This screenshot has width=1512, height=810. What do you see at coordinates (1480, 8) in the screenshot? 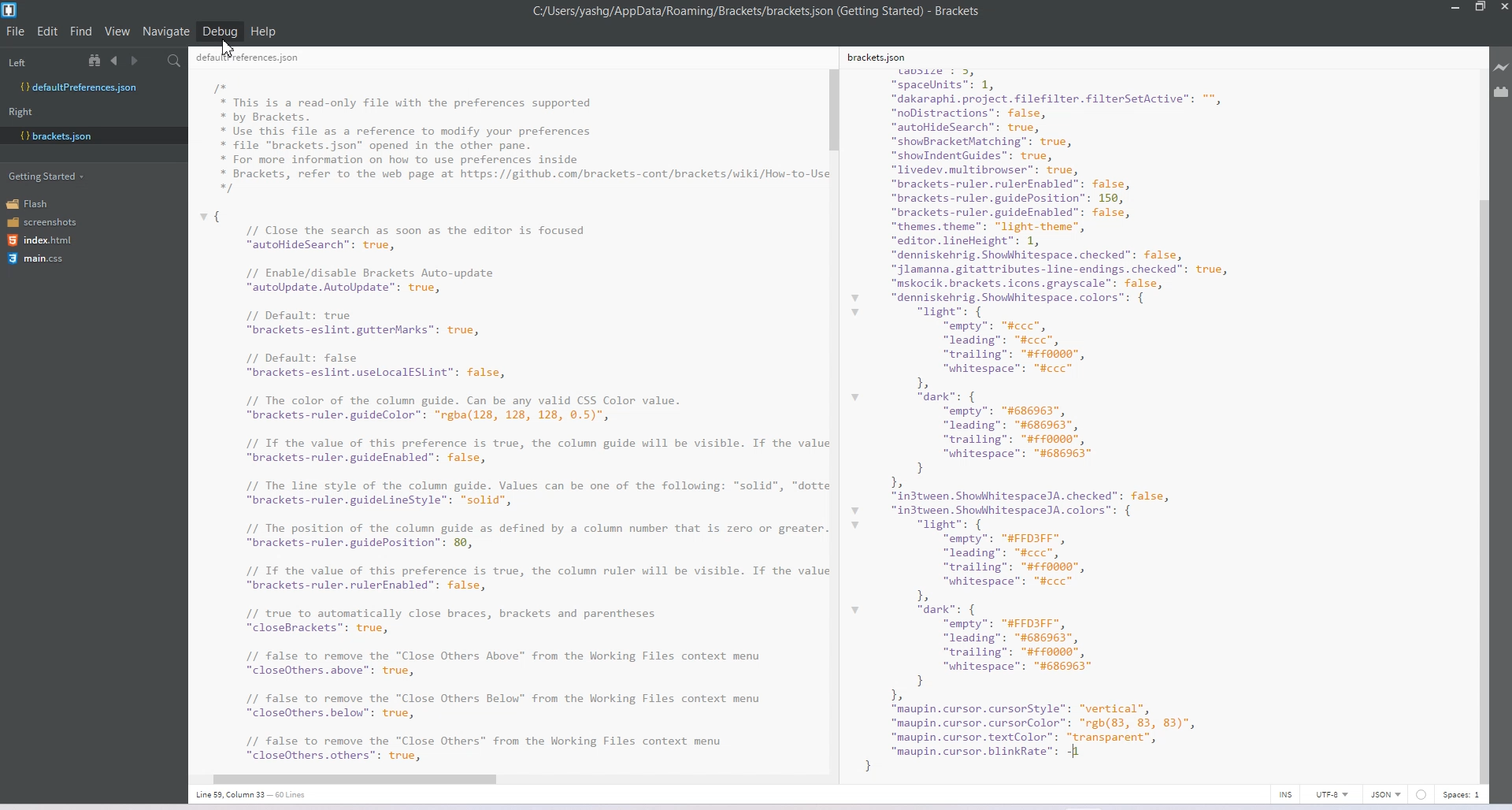
I see `Maximize` at bounding box center [1480, 8].